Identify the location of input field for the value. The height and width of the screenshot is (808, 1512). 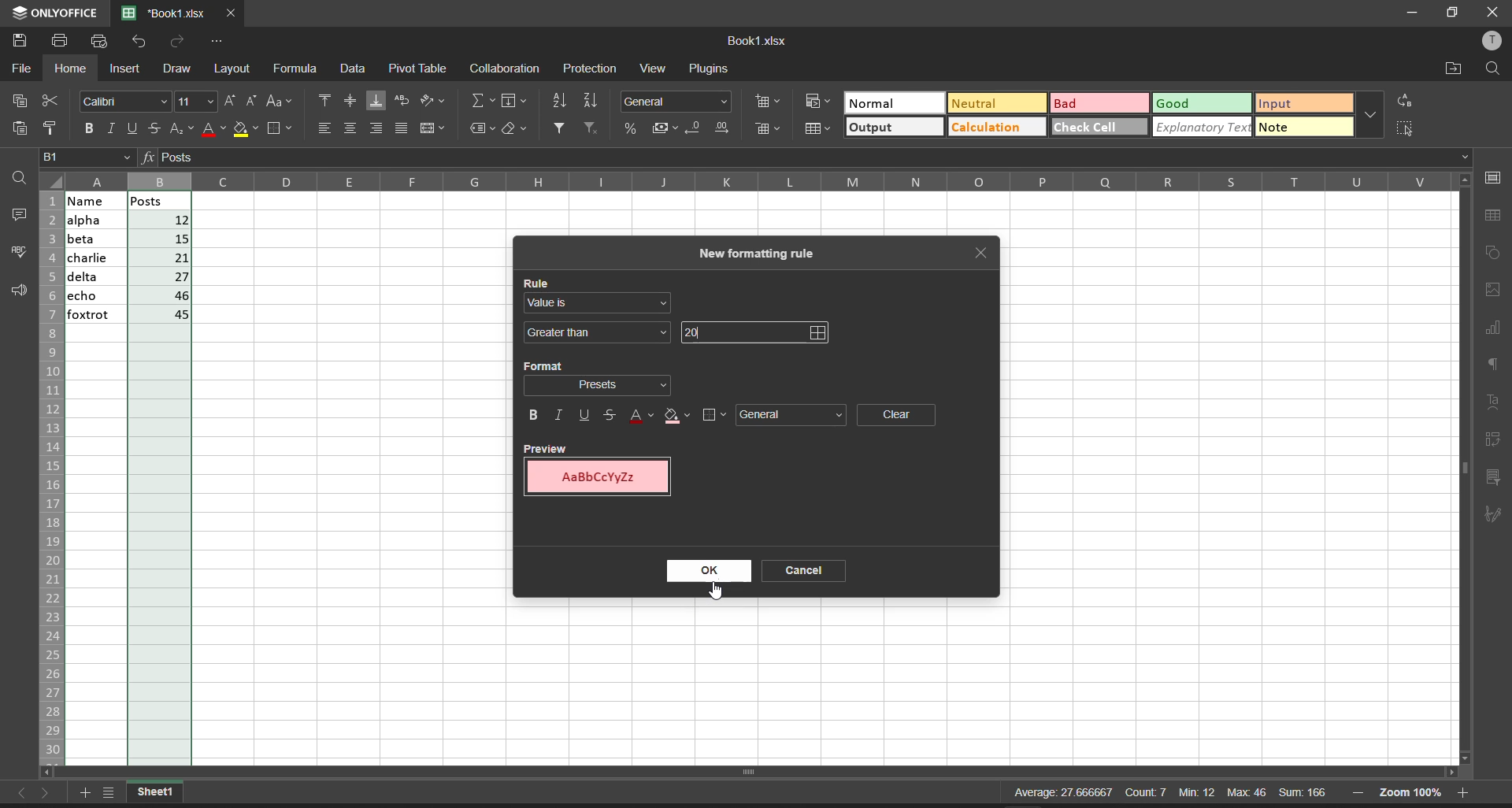
(775, 332).